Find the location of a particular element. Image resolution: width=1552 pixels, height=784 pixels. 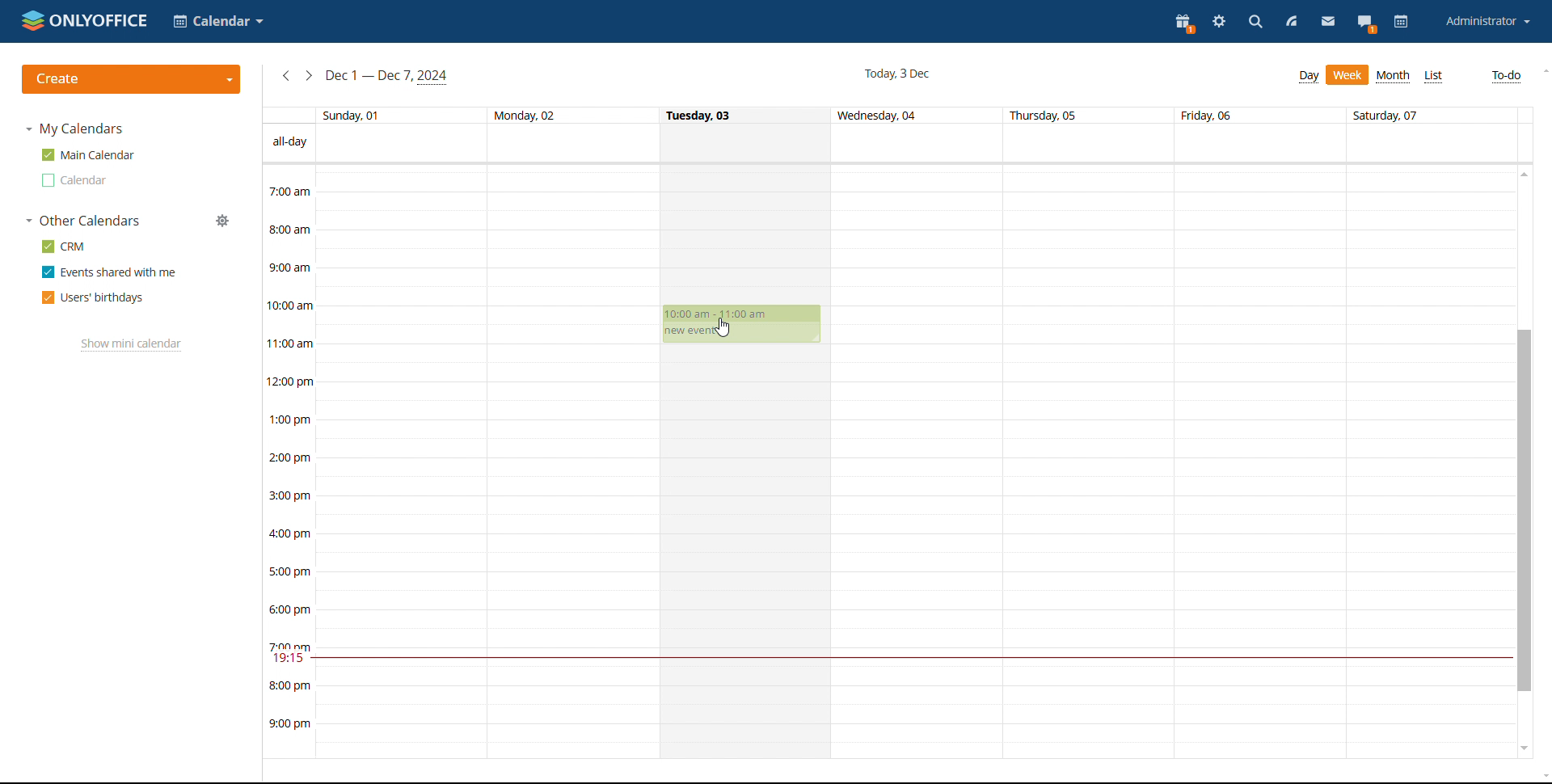

chat is located at coordinates (1366, 23).